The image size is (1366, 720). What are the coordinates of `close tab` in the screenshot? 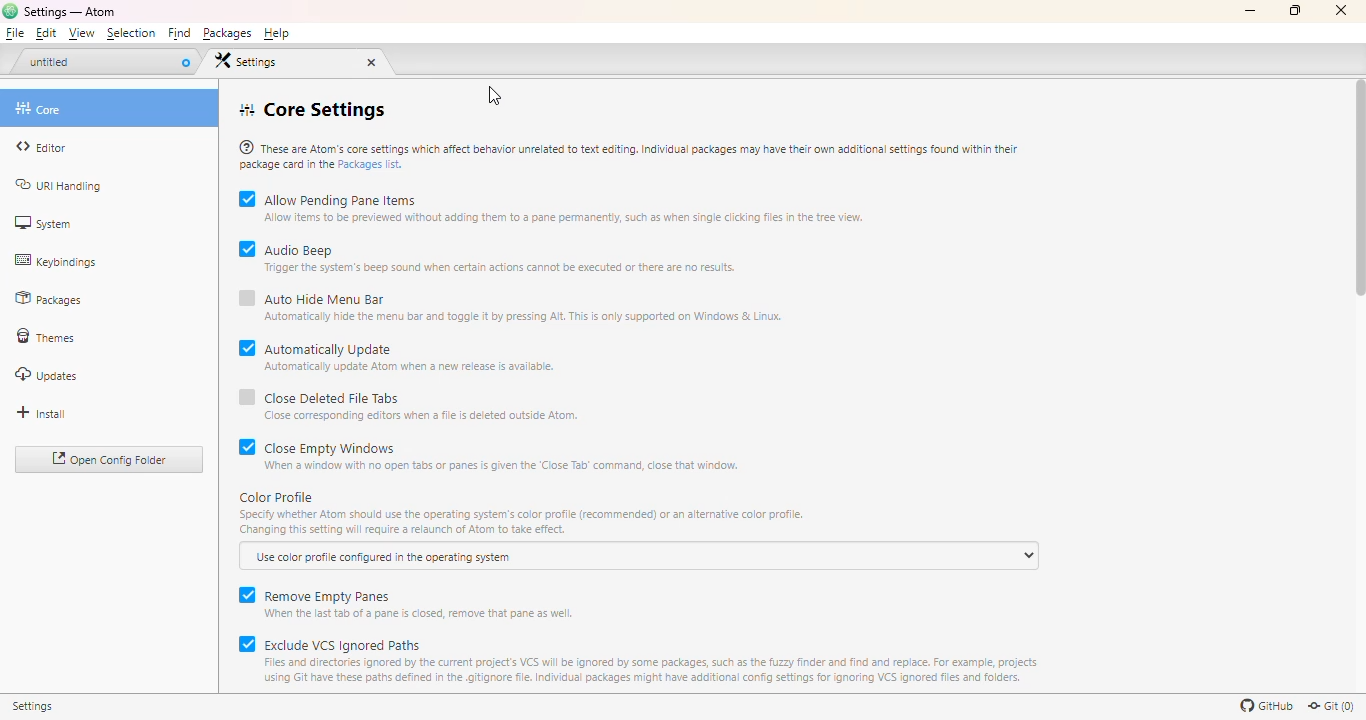 It's located at (185, 62).